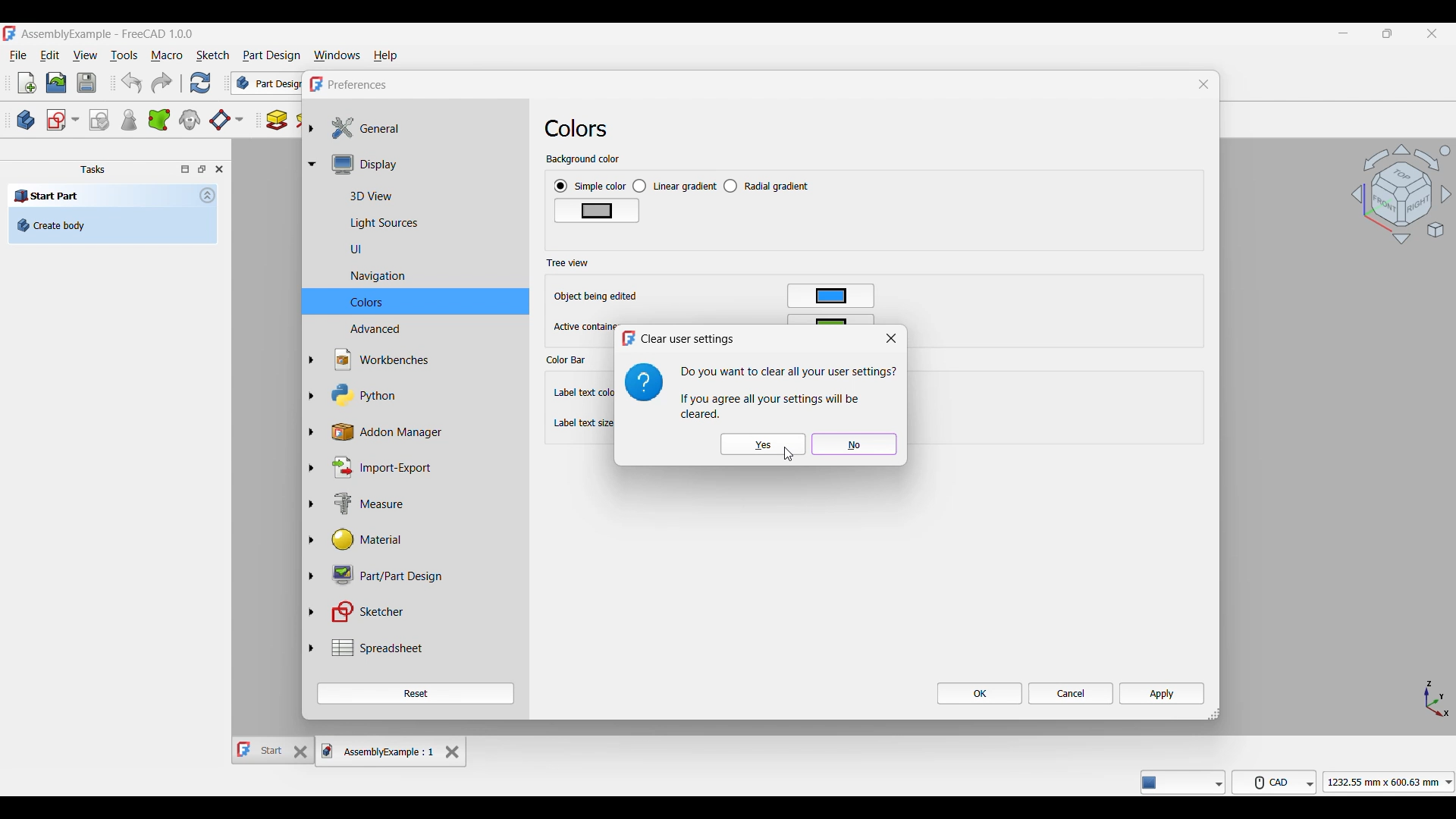 The width and height of the screenshot is (1456, 819). What do you see at coordinates (162, 83) in the screenshot?
I see `Redo` at bounding box center [162, 83].